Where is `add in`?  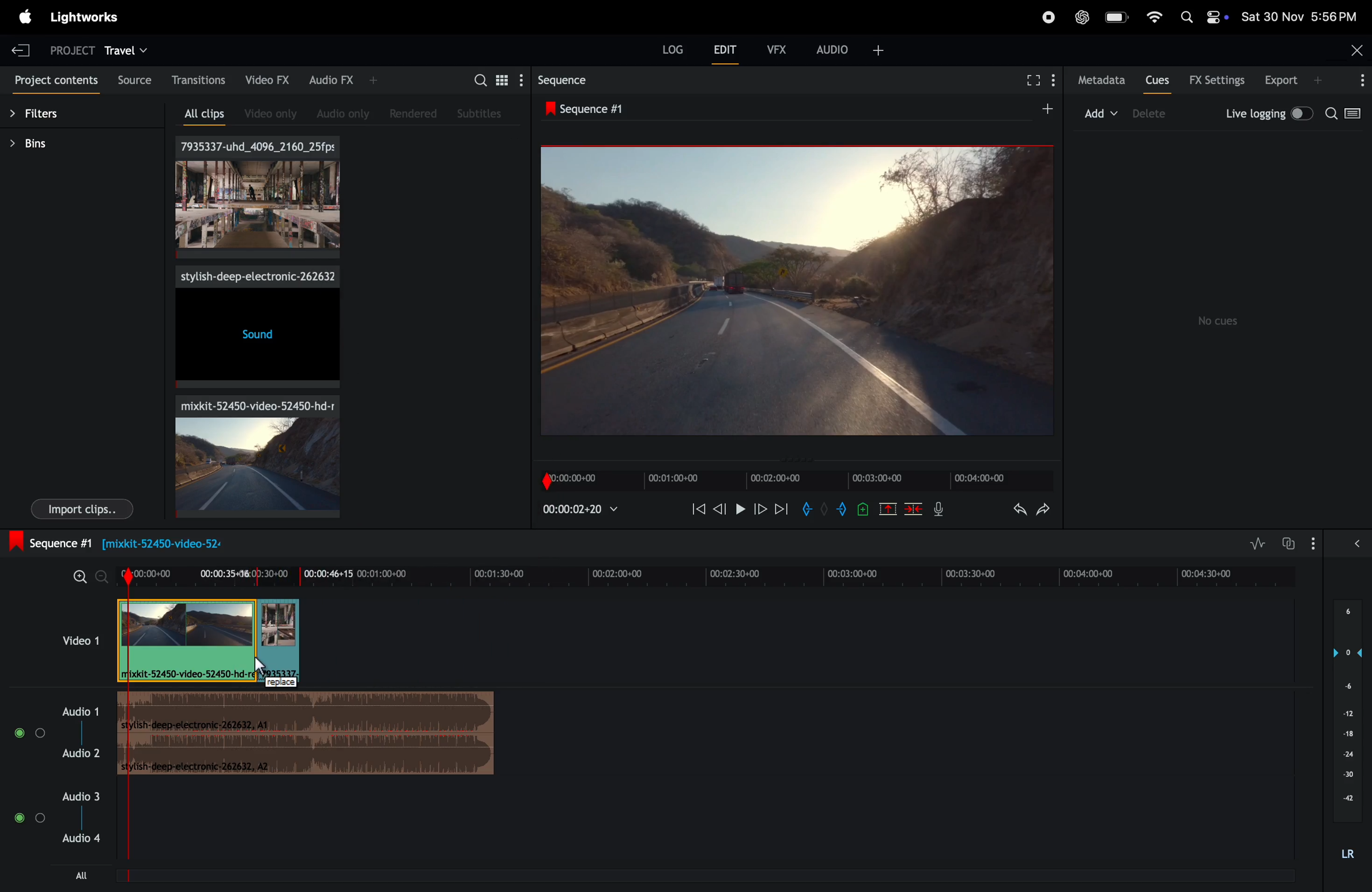 add in is located at coordinates (807, 509).